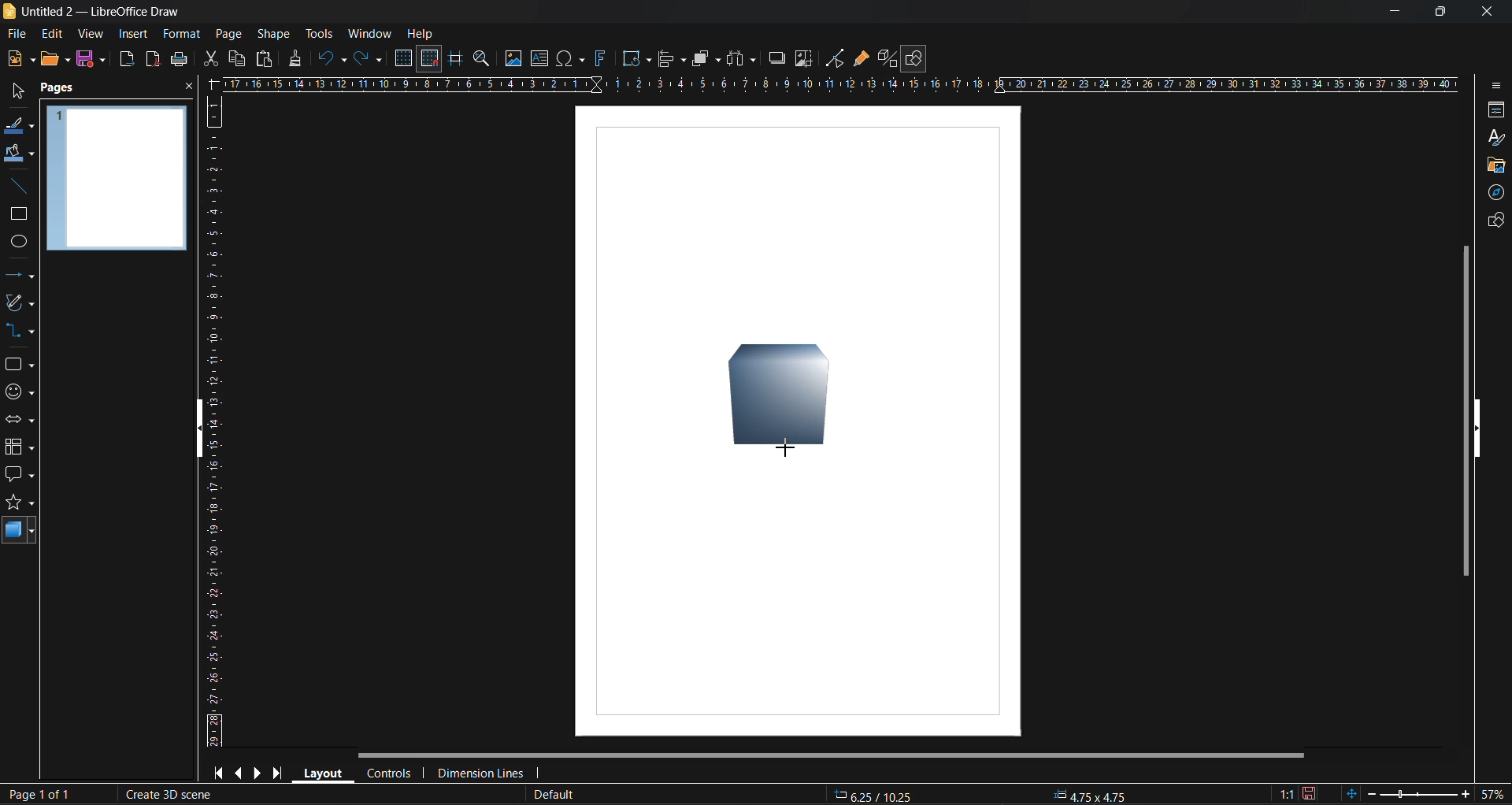 The width and height of the screenshot is (1512, 805). Describe the element at coordinates (406, 58) in the screenshot. I see `display grid` at that location.